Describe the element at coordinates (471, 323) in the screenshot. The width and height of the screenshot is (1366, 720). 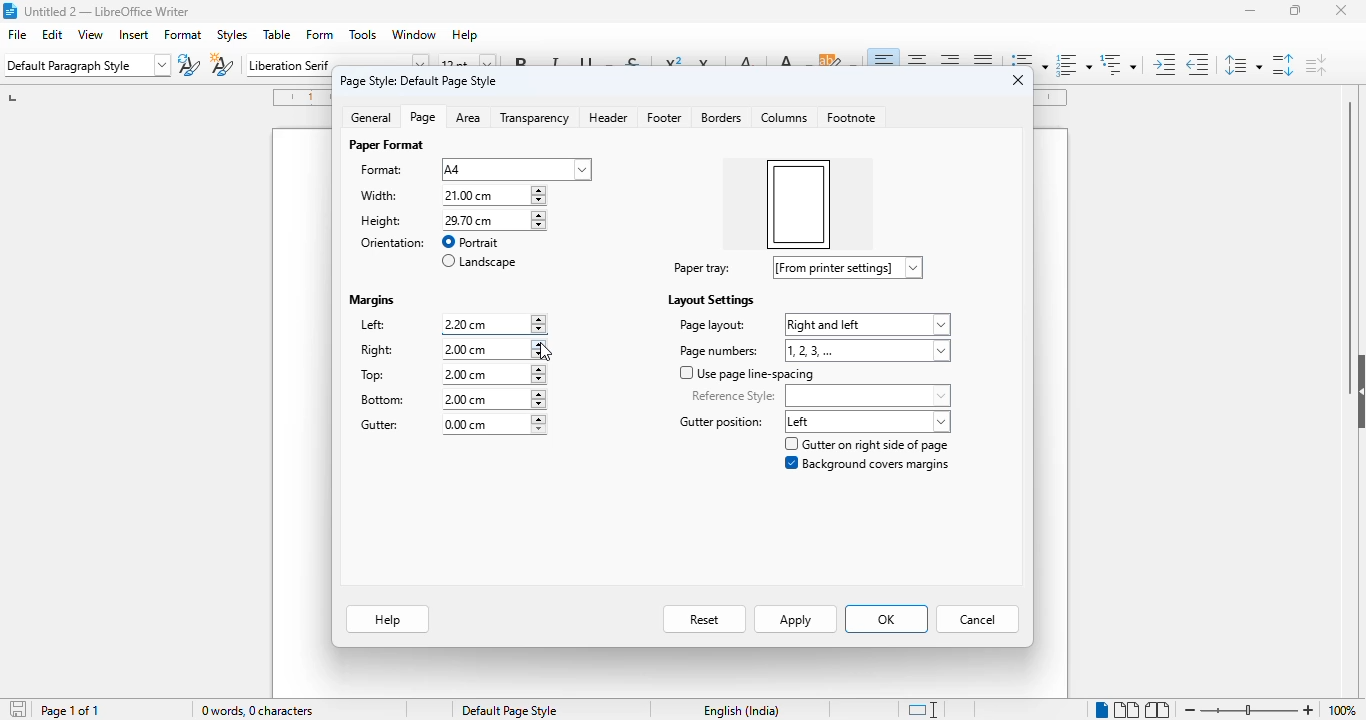
I see `left margin input box` at that location.